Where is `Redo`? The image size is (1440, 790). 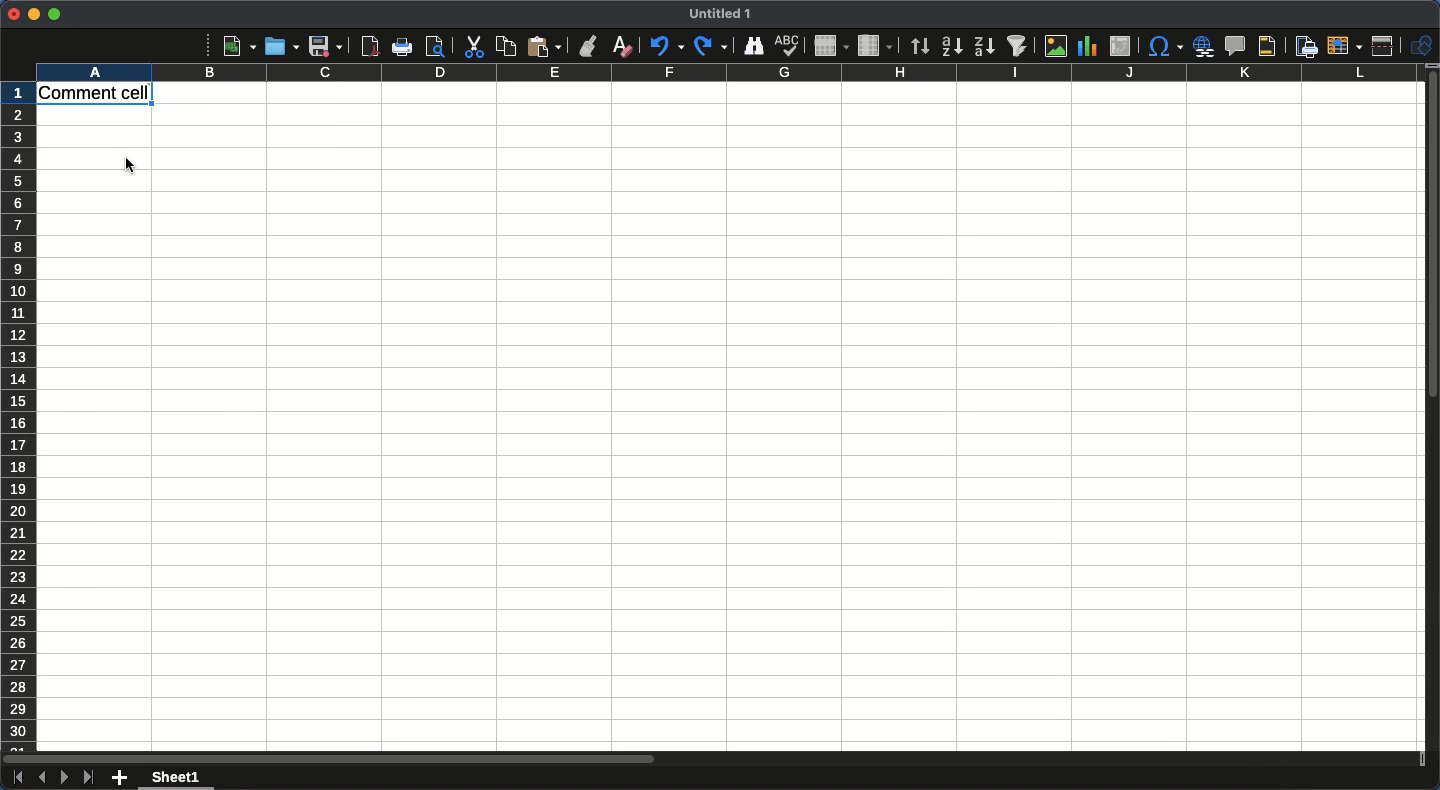
Redo is located at coordinates (711, 47).